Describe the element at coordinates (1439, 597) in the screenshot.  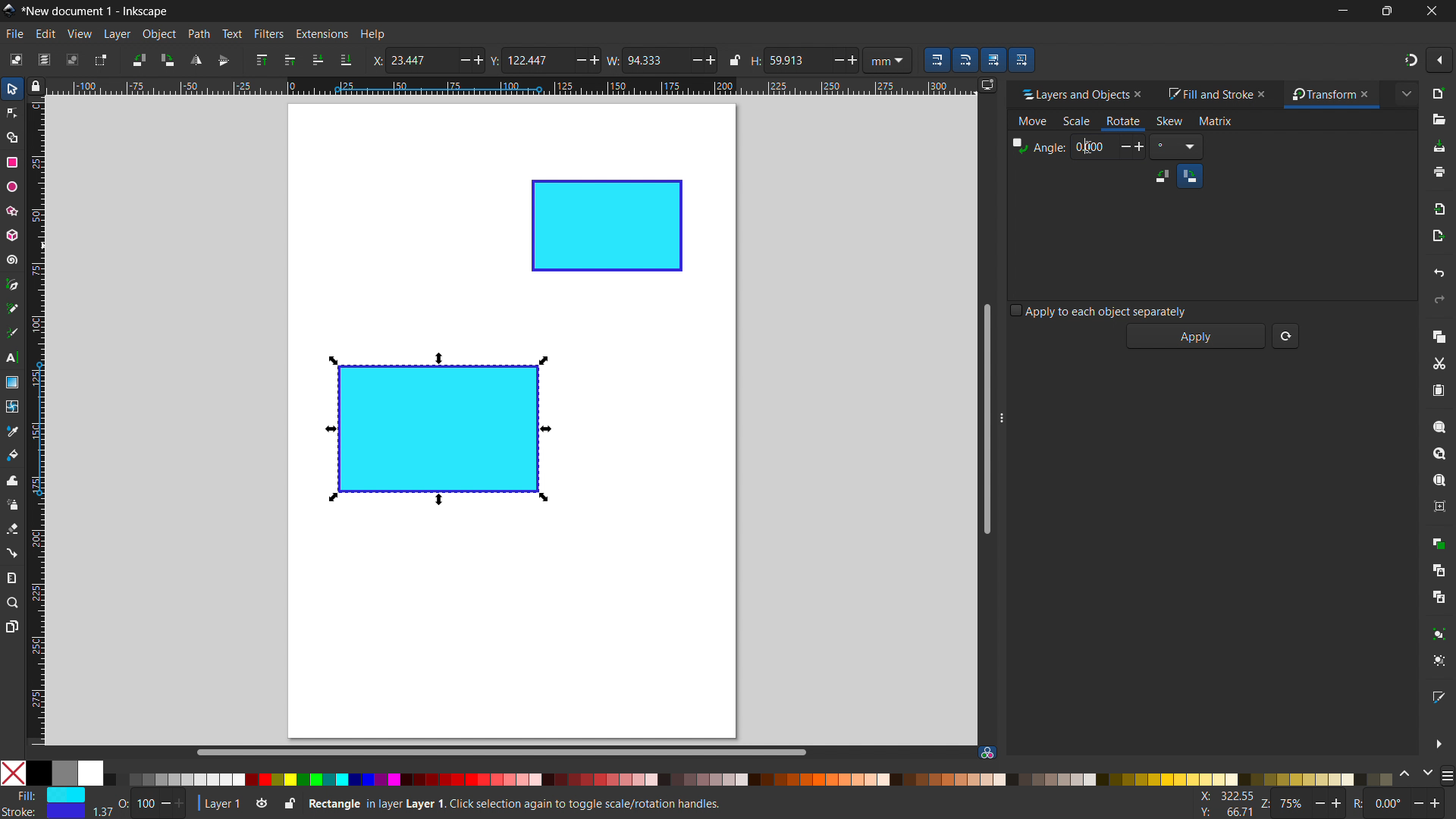
I see `unlink clone` at that location.